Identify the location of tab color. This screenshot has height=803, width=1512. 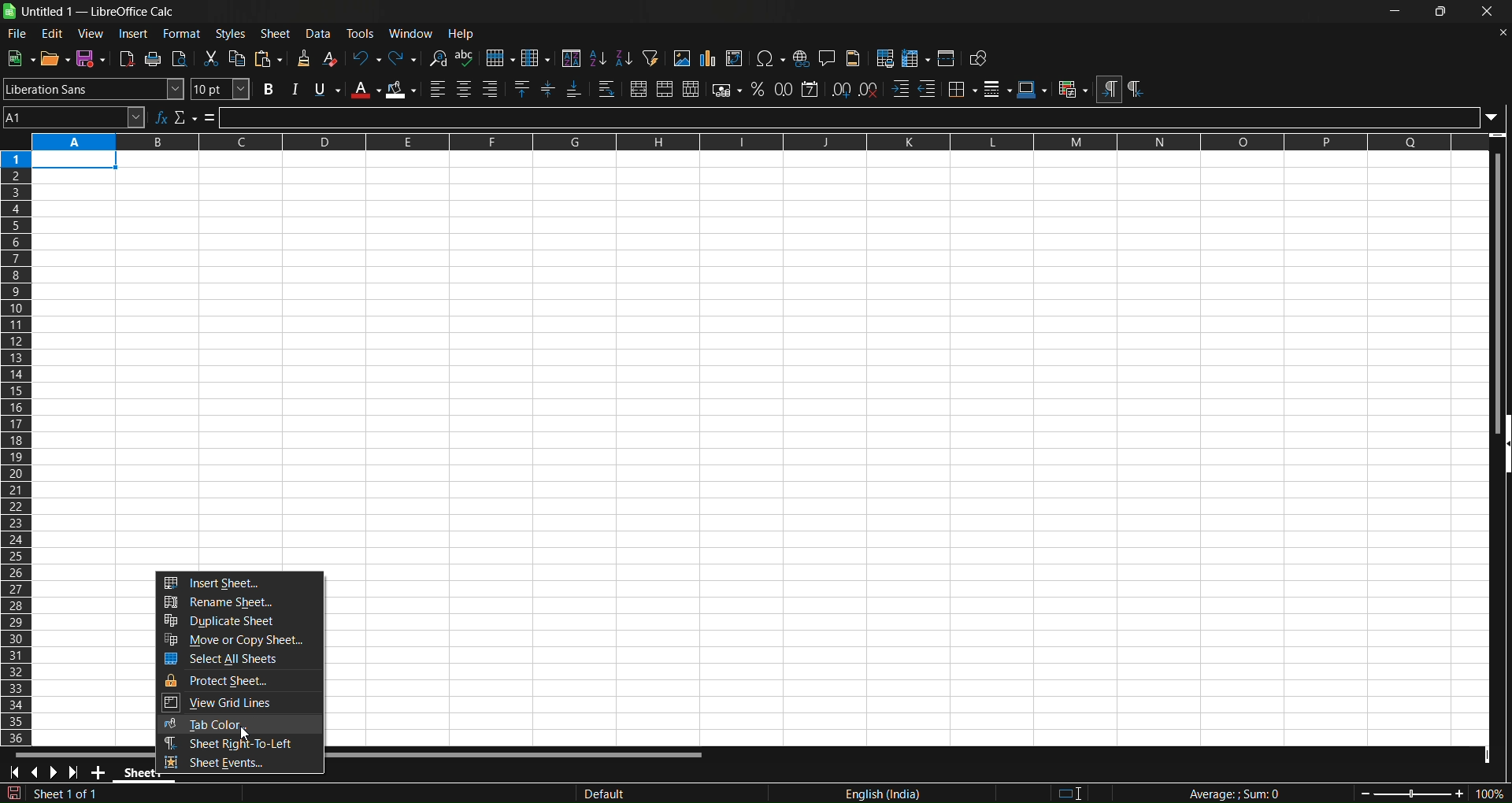
(239, 725).